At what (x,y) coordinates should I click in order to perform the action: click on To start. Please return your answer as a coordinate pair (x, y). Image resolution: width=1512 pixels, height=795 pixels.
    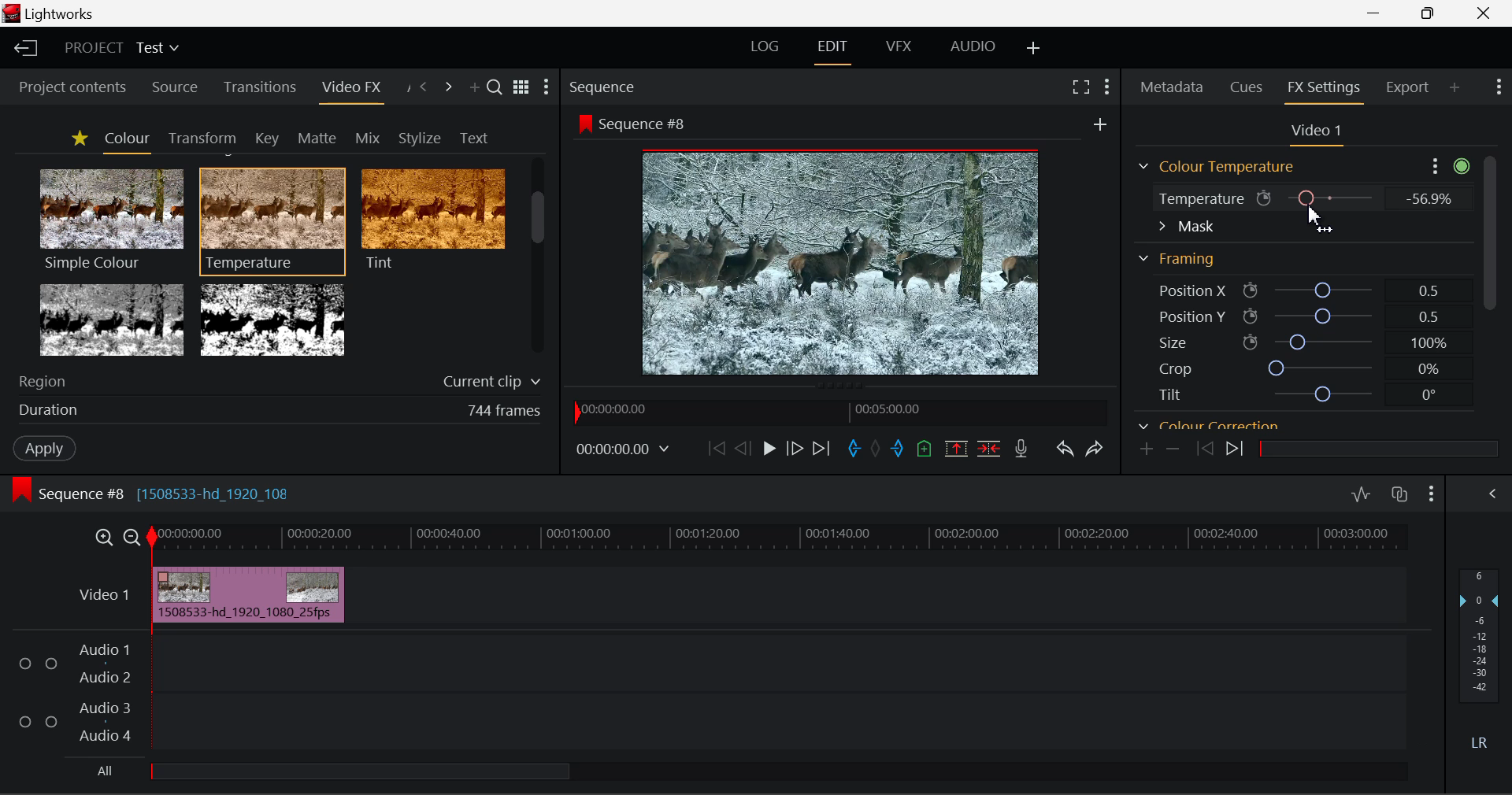
    Looking at the image, I should click on (714, 452).